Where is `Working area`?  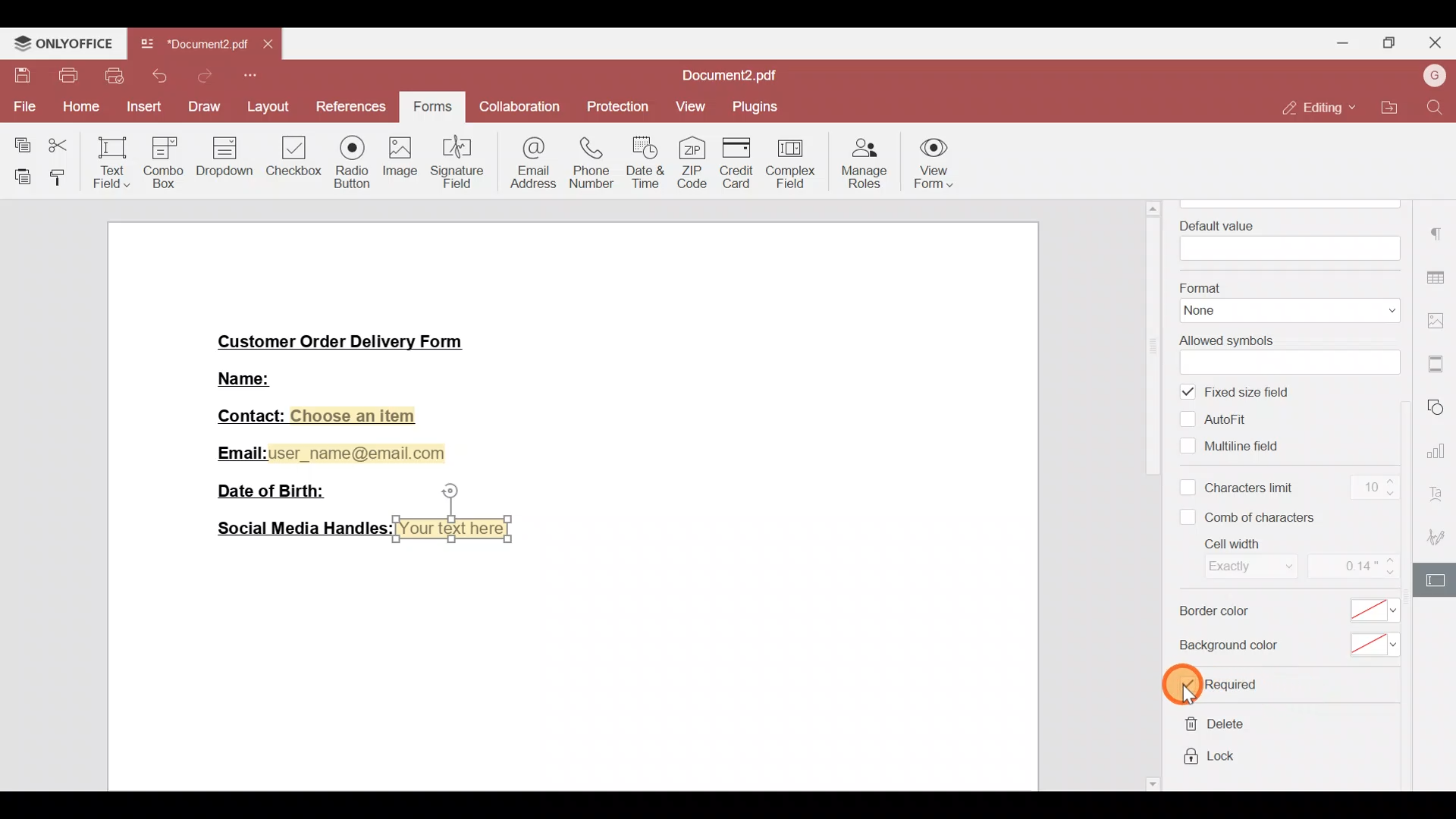
Working area is located at coordinates (568, 667).